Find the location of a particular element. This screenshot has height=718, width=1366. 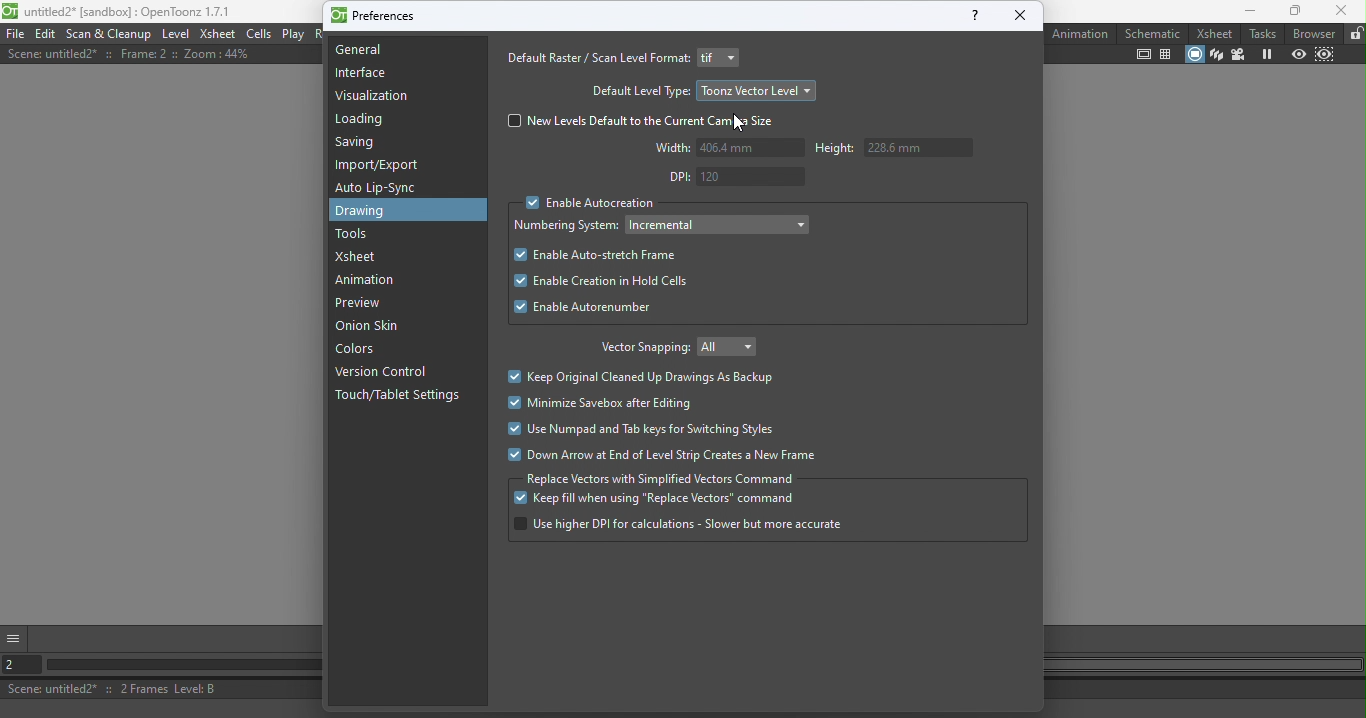

Visualization is located at coordinates (375, 96).